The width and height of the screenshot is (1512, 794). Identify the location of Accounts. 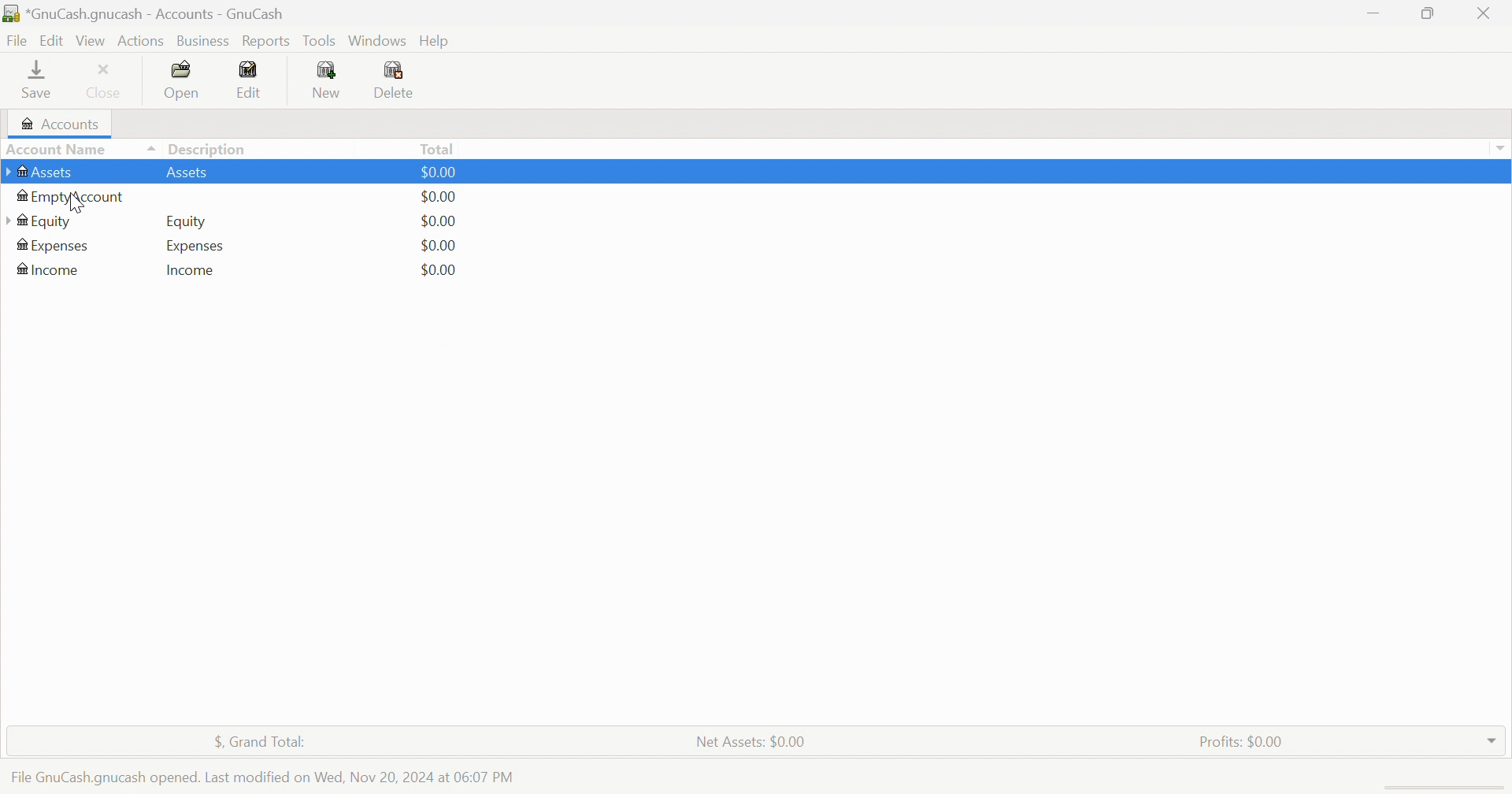
(59, 123).